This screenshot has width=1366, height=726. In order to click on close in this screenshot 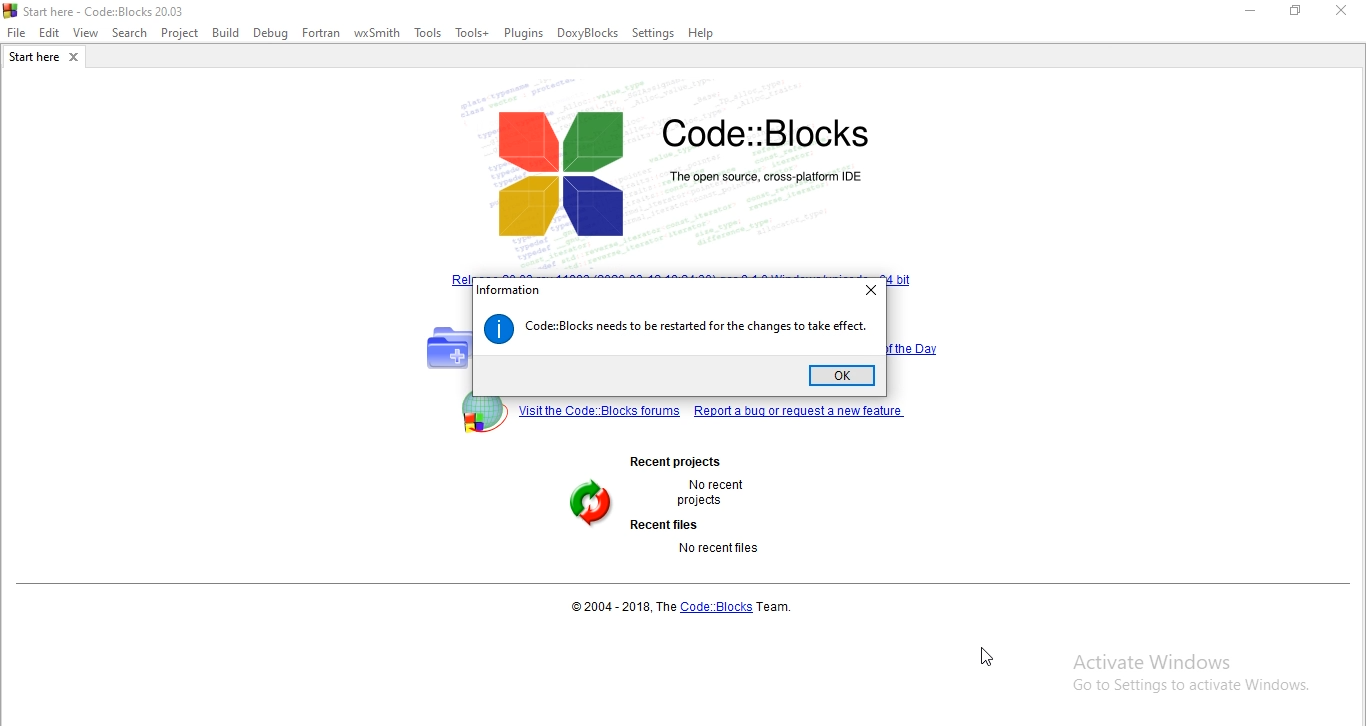, I will do `click(1346, 14)`.